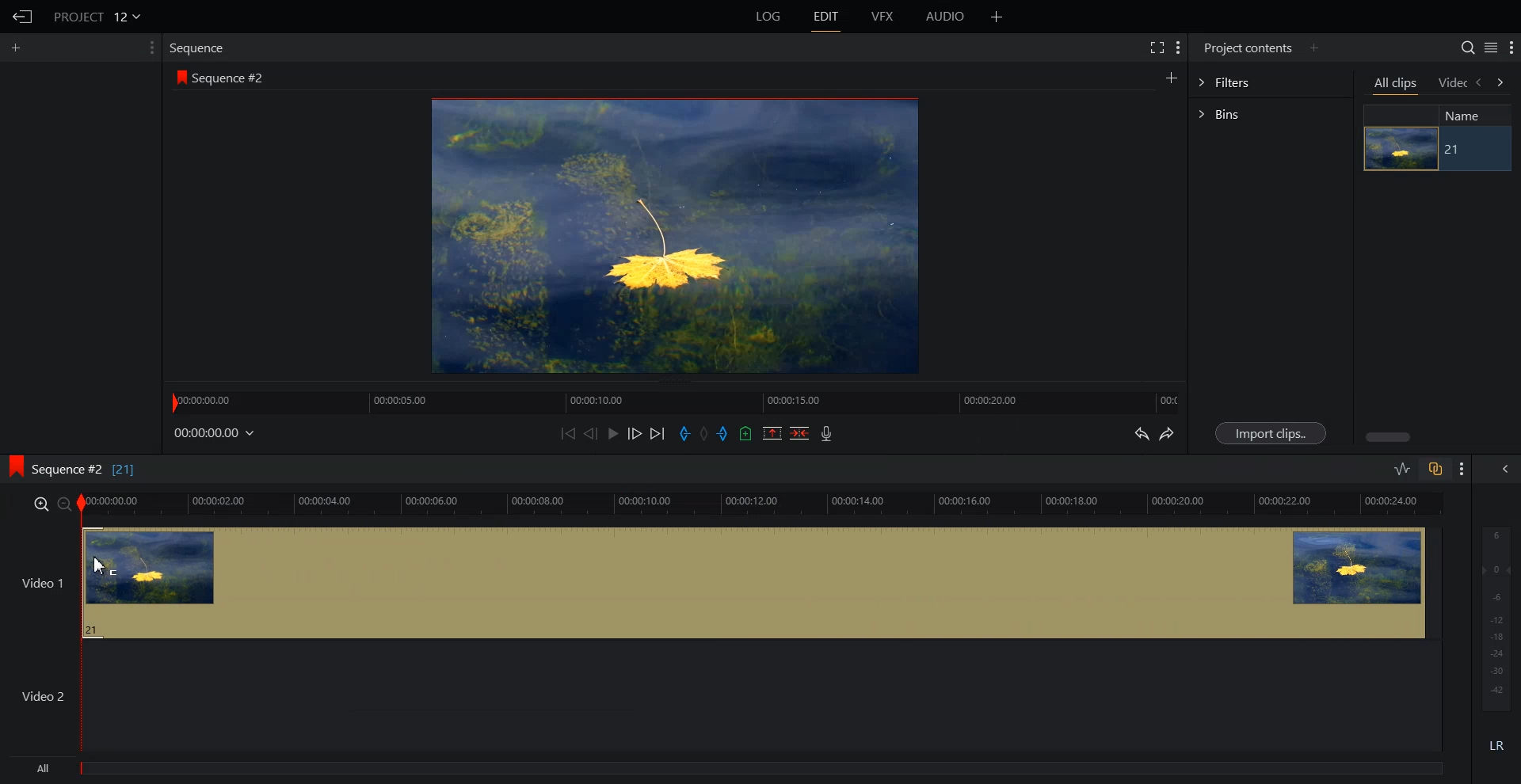  I want to click on Video 2, so click(723, 698).